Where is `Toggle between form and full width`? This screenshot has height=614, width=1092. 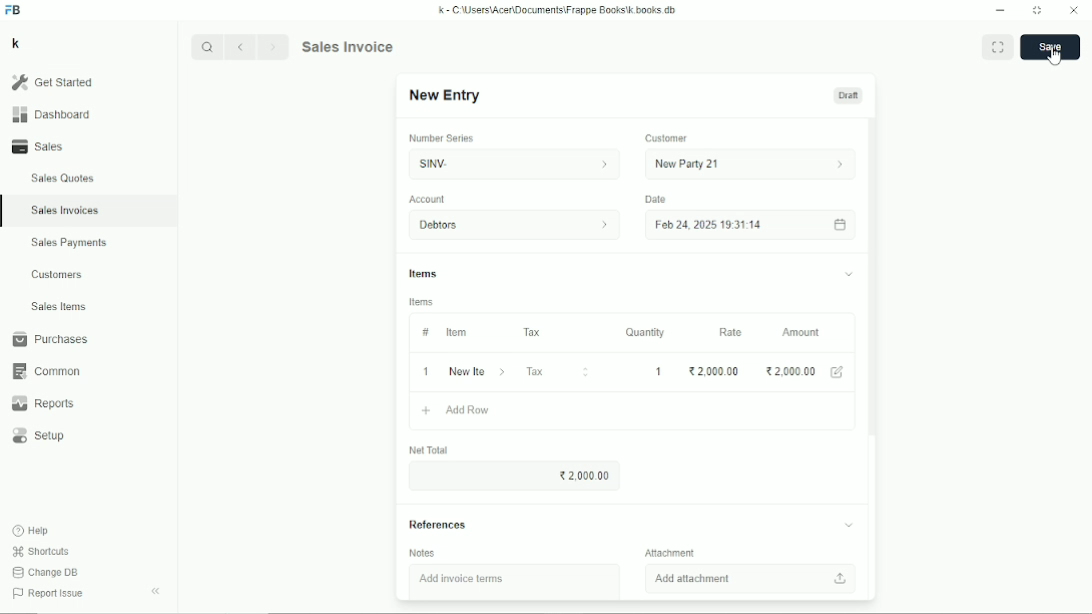 Toggle between form and full width is located at coordinates (1038, 11).